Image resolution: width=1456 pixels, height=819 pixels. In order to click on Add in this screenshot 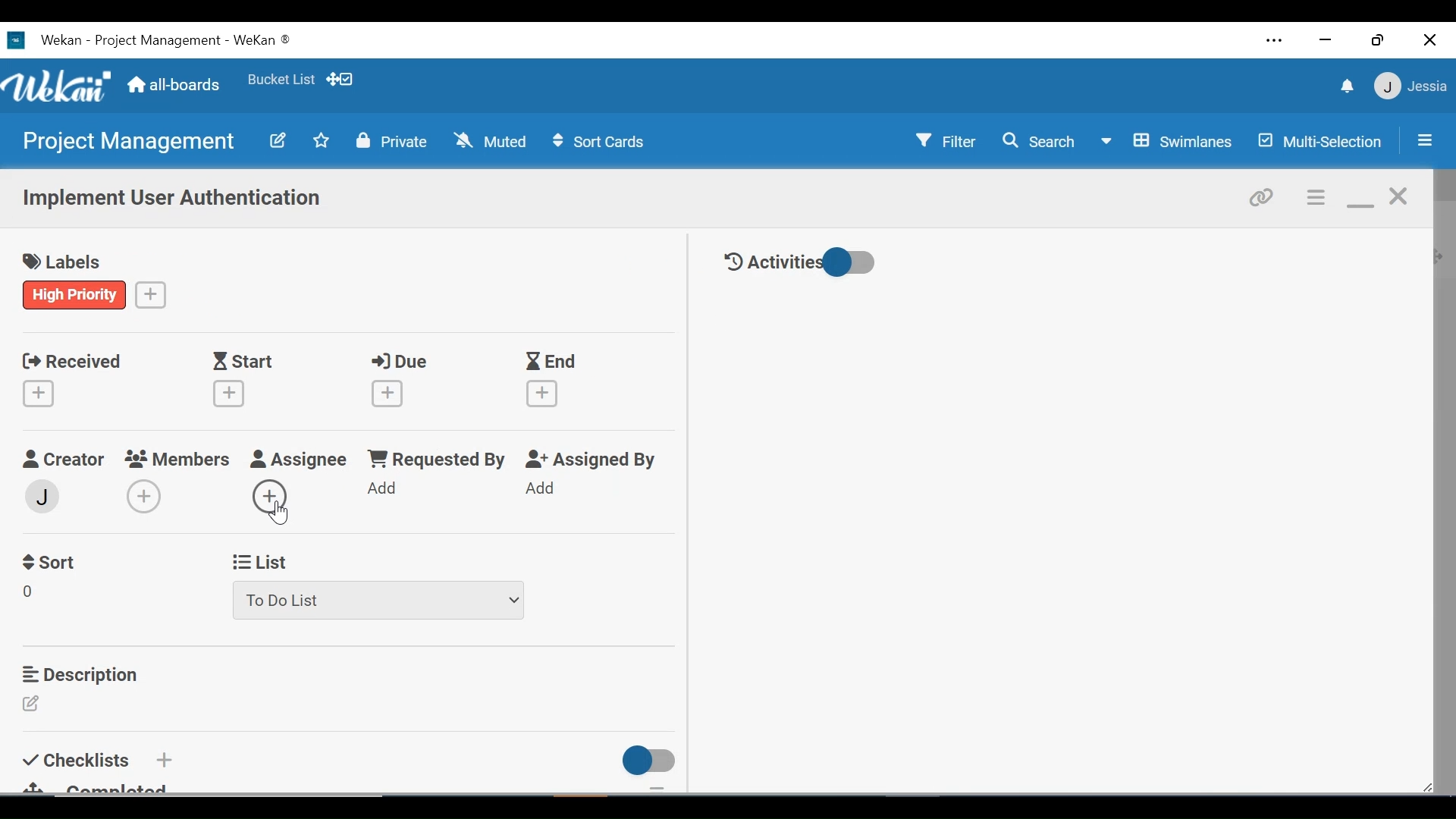, I will do `click(162, 759)`.